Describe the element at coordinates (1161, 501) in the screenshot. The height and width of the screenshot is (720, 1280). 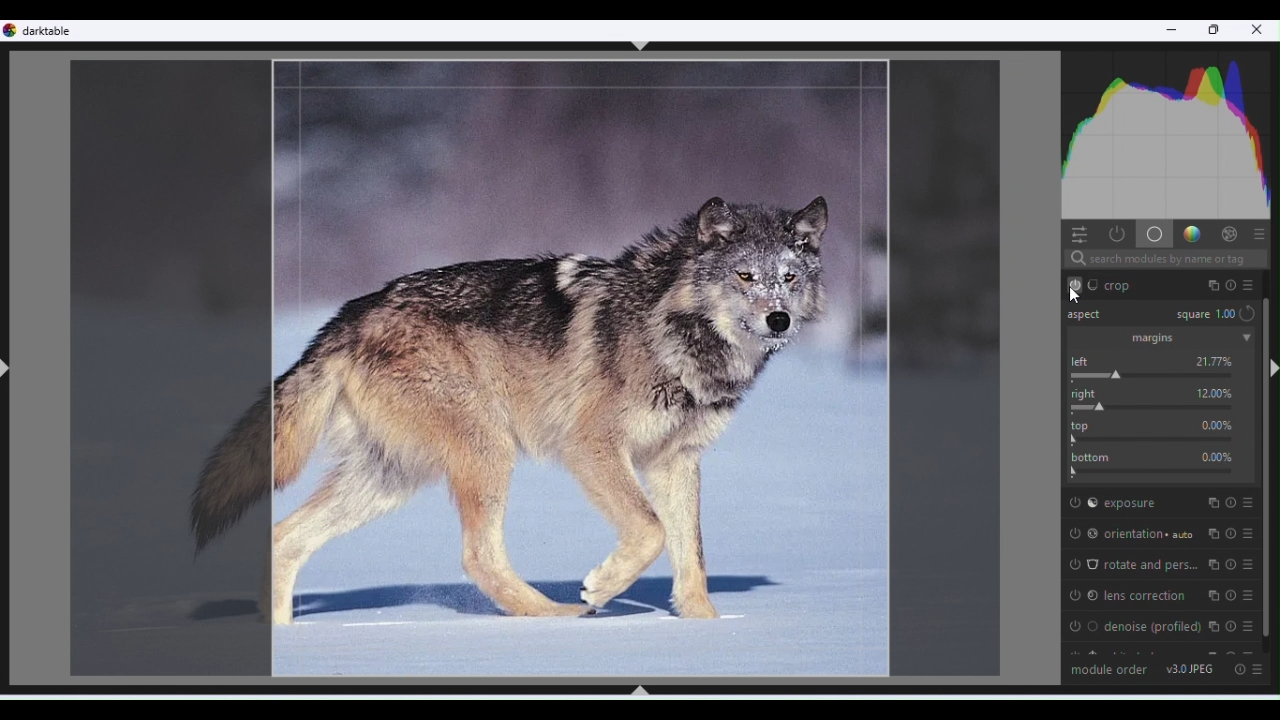
I see `Exposure` at that location.